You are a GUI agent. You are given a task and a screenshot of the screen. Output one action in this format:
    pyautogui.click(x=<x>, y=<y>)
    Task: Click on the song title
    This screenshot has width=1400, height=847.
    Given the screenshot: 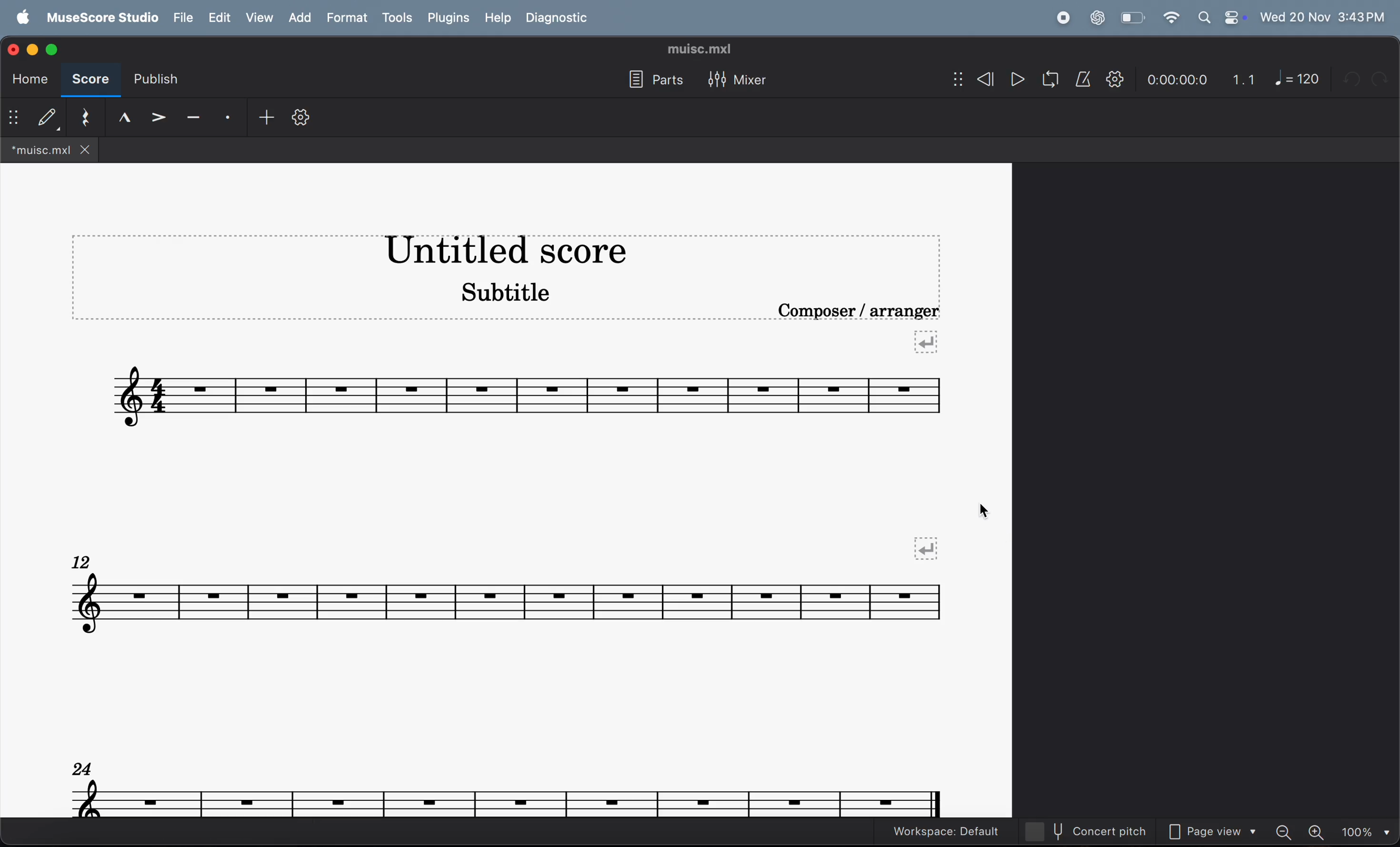 What is the action you would take?
    pyautogui.click(x=495, y=252)
    